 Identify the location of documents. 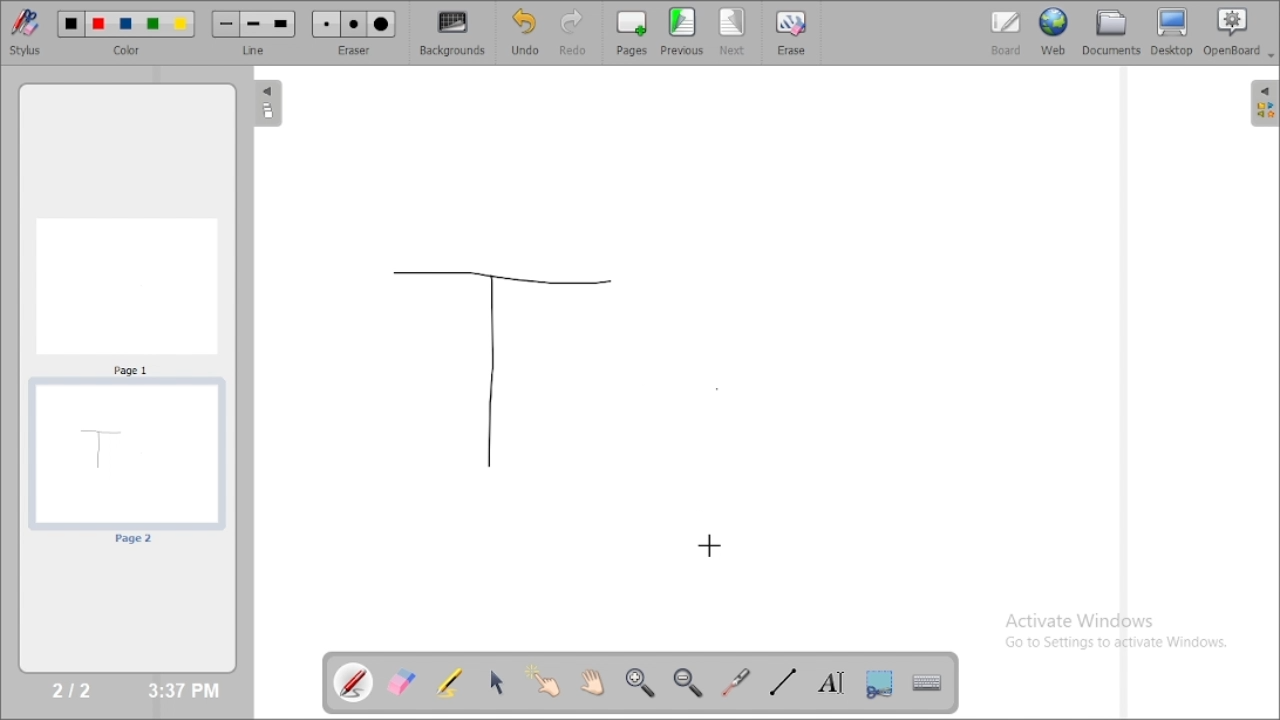
(1110, 31).